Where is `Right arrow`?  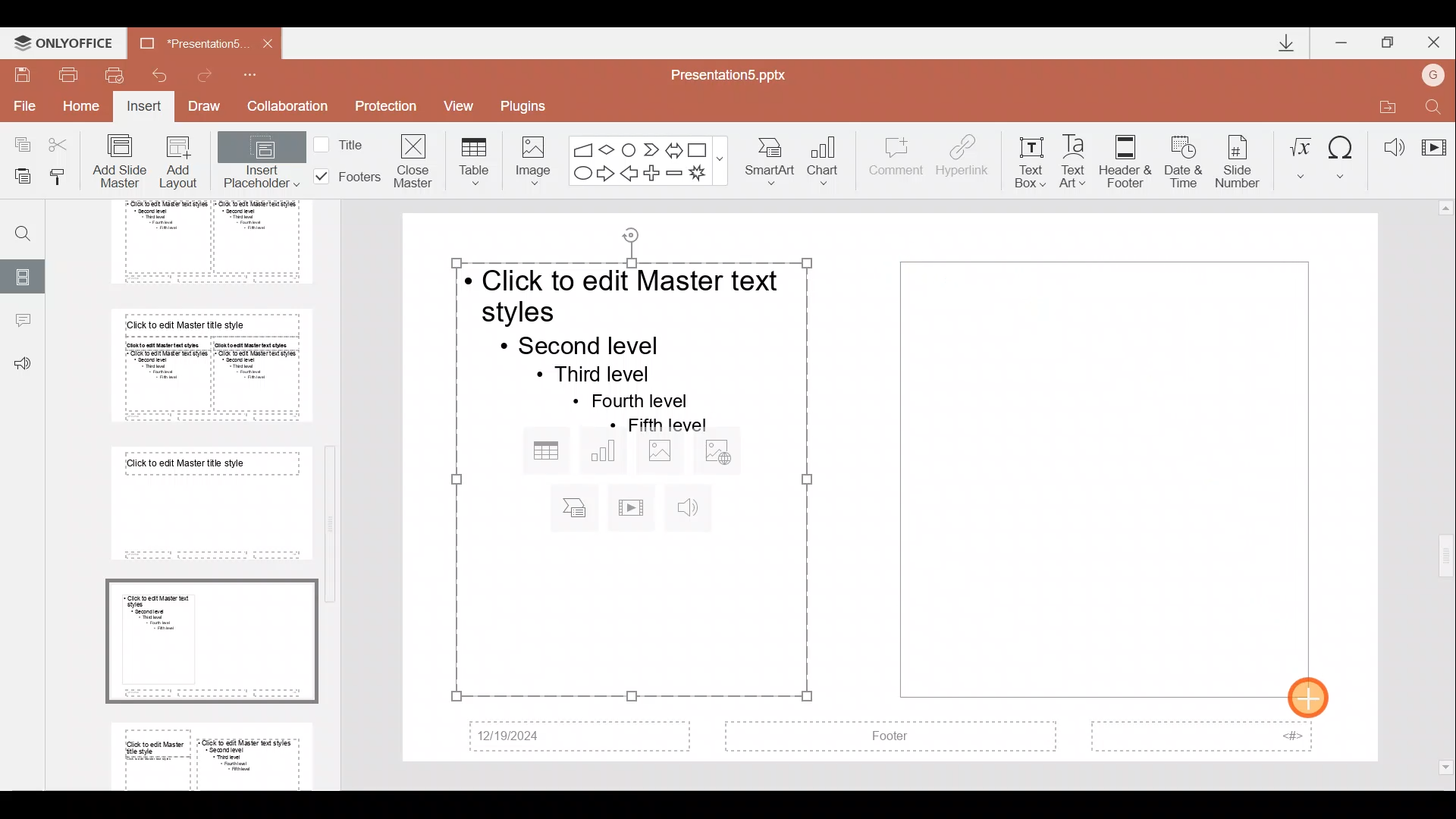 Right arrow is located at coordinates (605, 174).